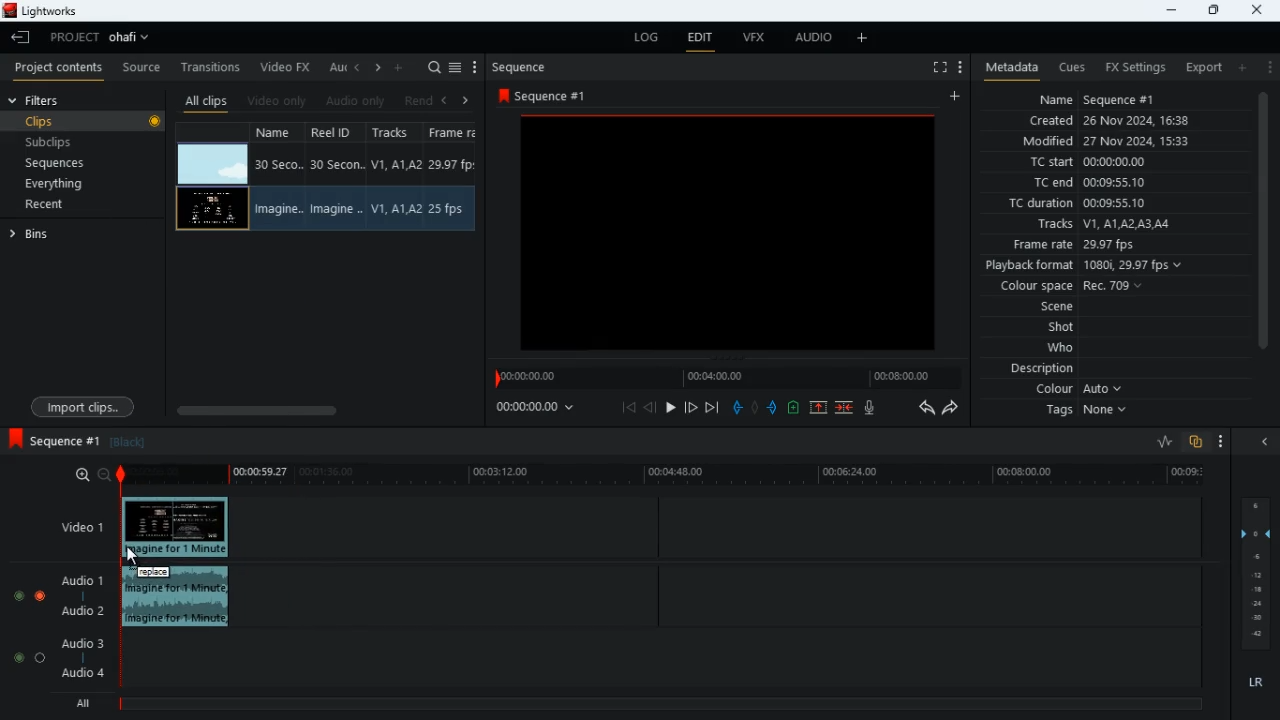  Describe the element at coordinates (726, 235) in the screenshot. I see `videos` at that location.